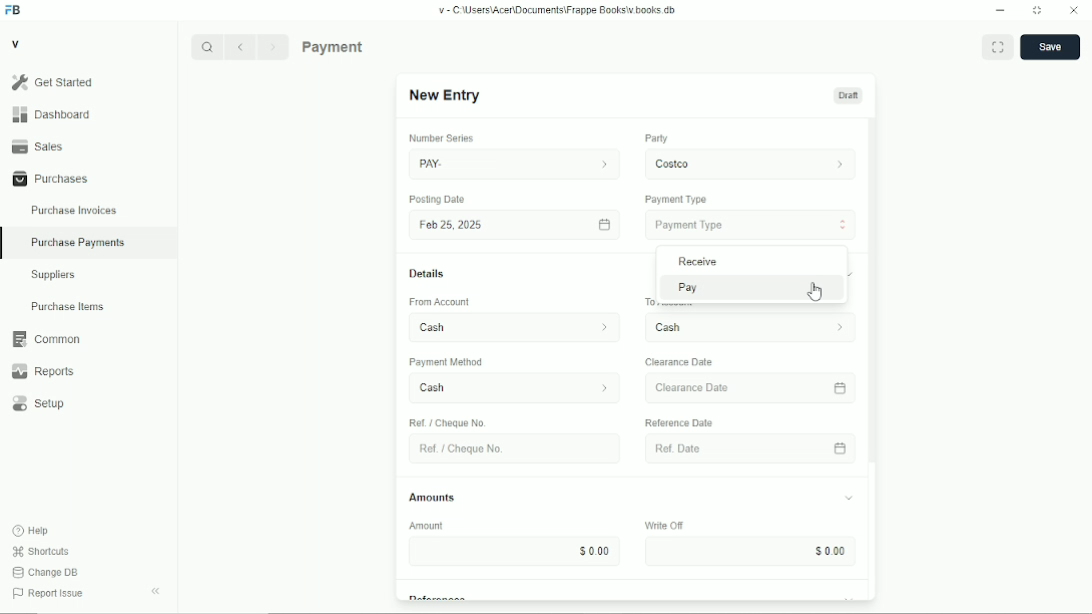  What do you see at coordinates (1000, 10) in the screenshot?
I see `Minimize` at bounding box center [1000, 10].